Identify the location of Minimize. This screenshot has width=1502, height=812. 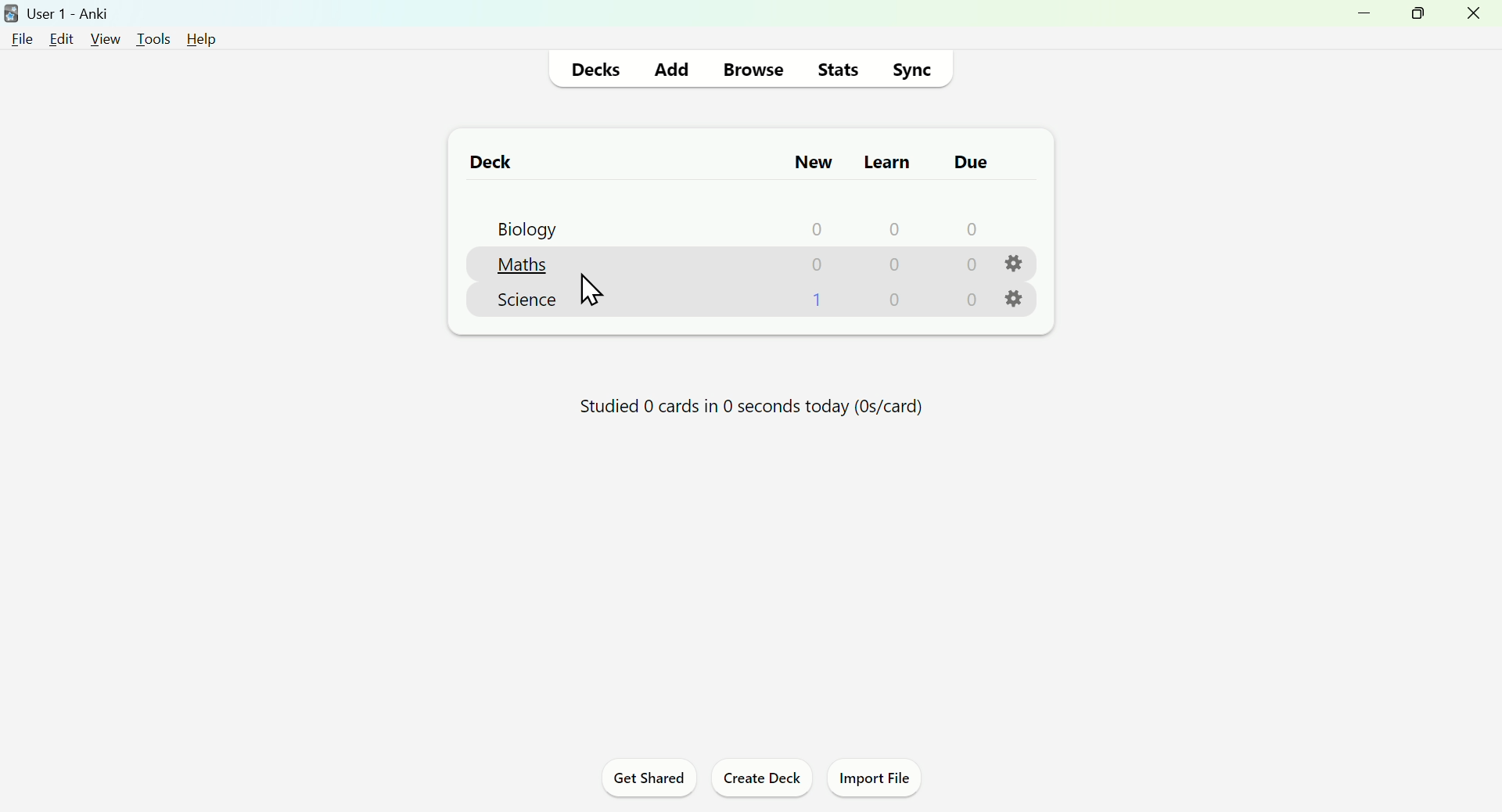
(1359, 20).